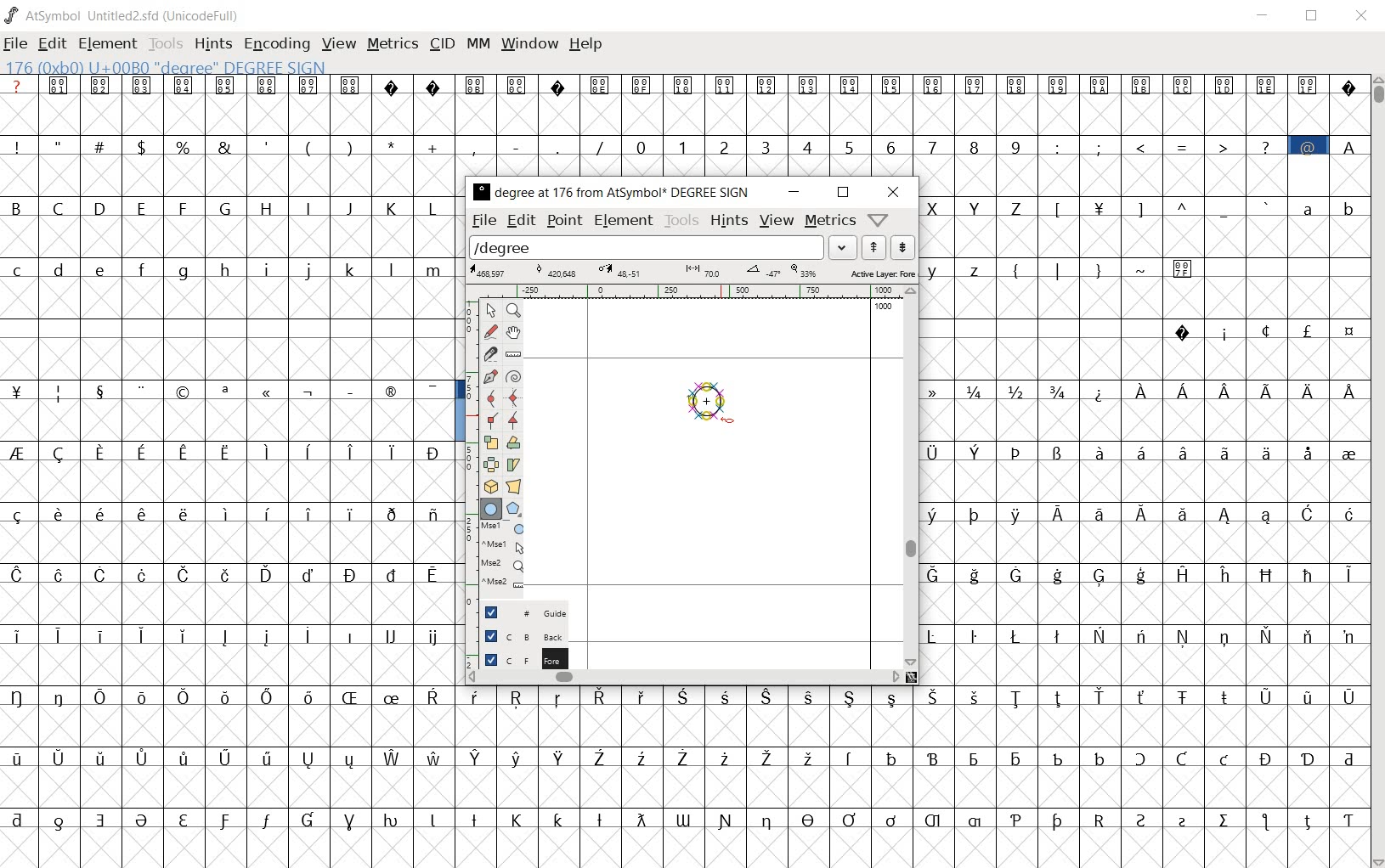 This screenshot has height=868, width=1385. I want to click on , so click(1141, 664).